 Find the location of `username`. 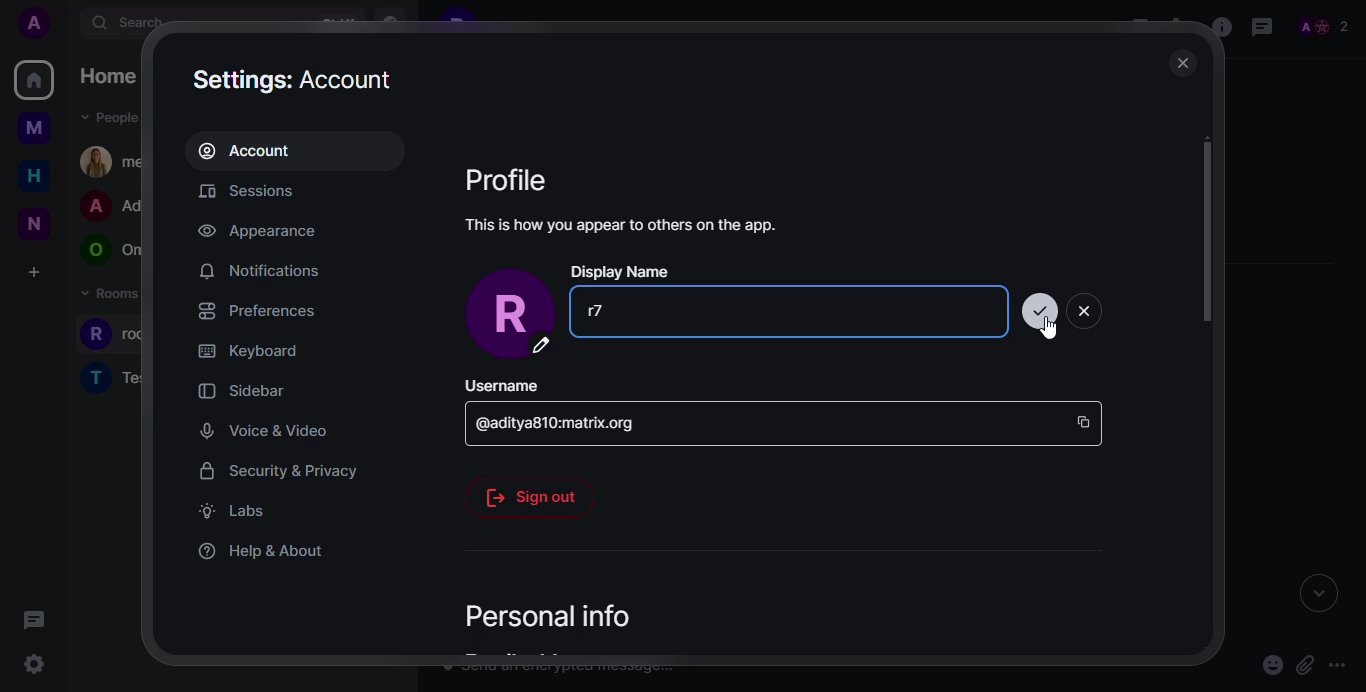

username is located at coordinates (501, 385).